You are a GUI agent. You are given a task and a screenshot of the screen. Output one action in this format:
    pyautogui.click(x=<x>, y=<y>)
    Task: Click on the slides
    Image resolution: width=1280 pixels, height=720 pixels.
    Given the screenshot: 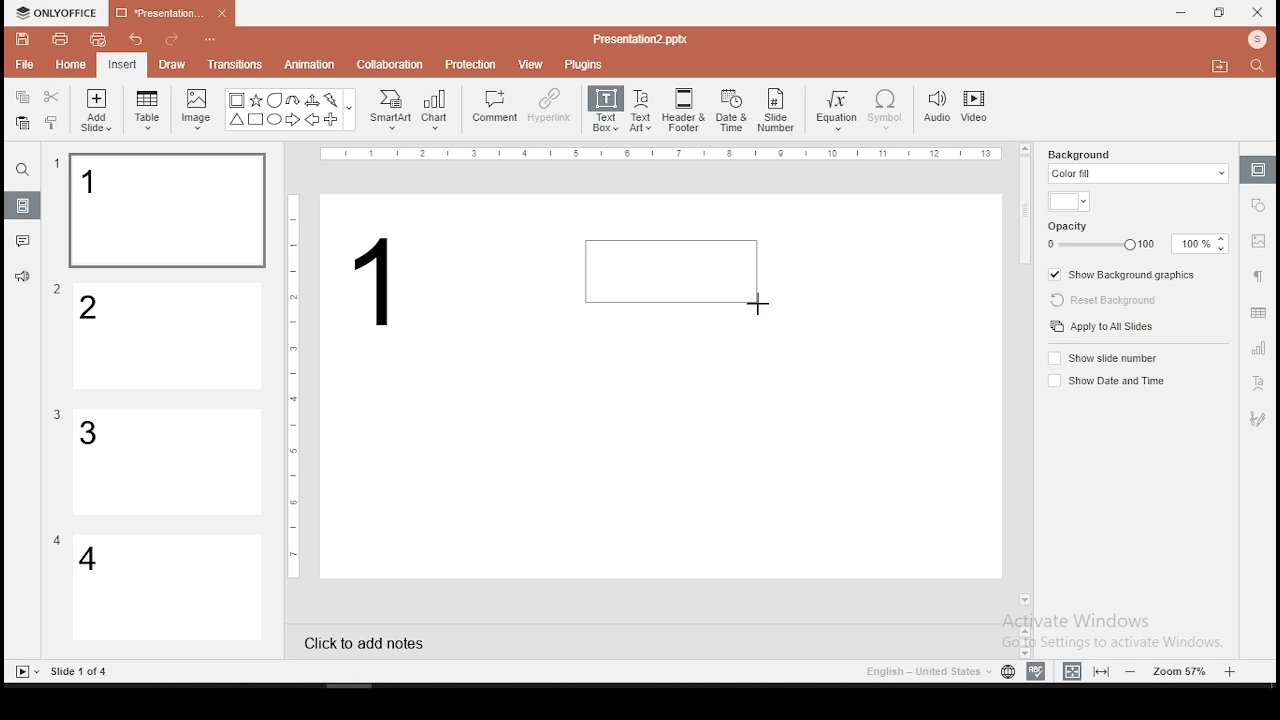 What is the action you would take?
    pyautogui.click(x=24, y=206)
    